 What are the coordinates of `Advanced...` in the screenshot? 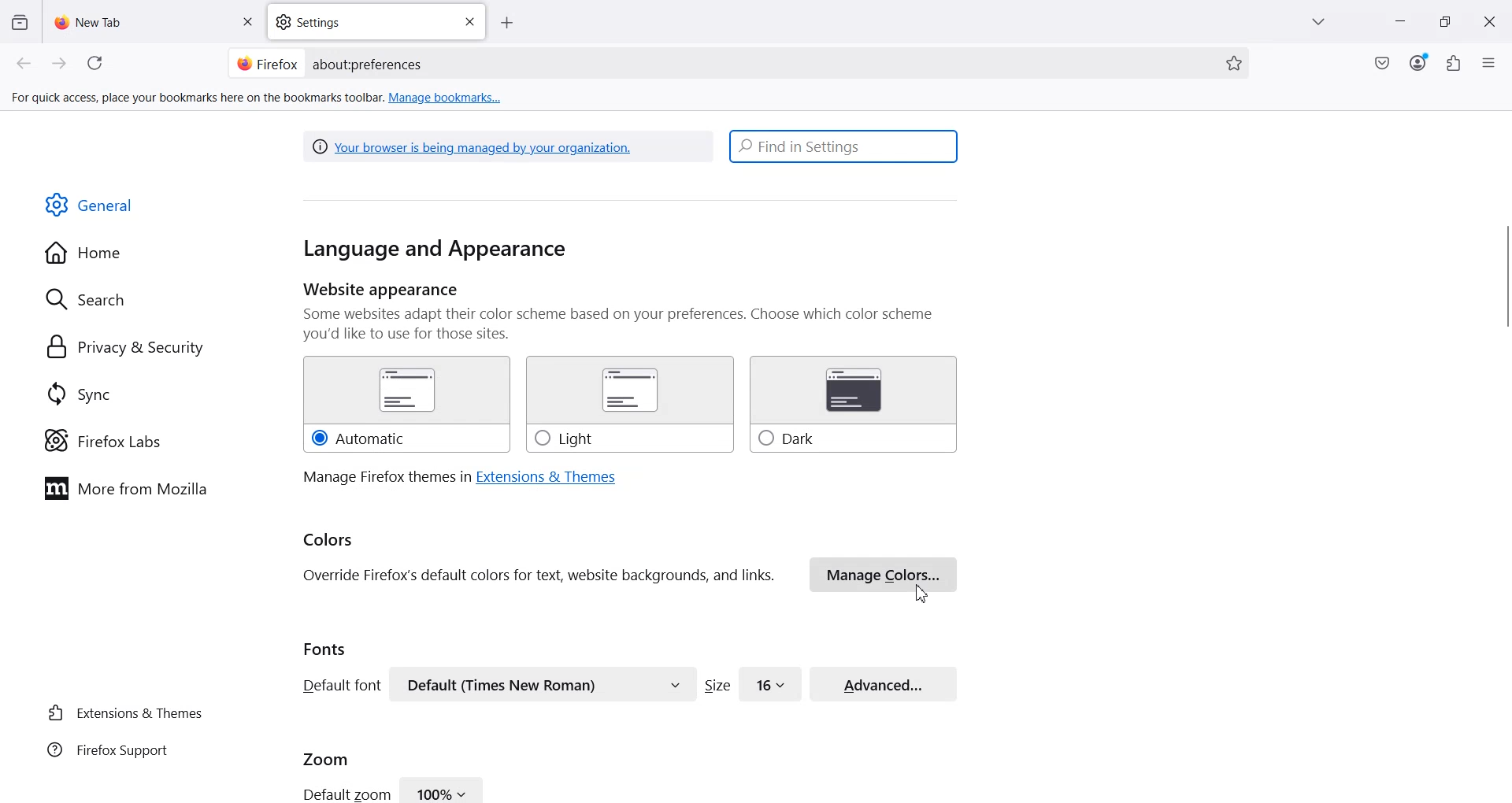 It's located at (884, 682).